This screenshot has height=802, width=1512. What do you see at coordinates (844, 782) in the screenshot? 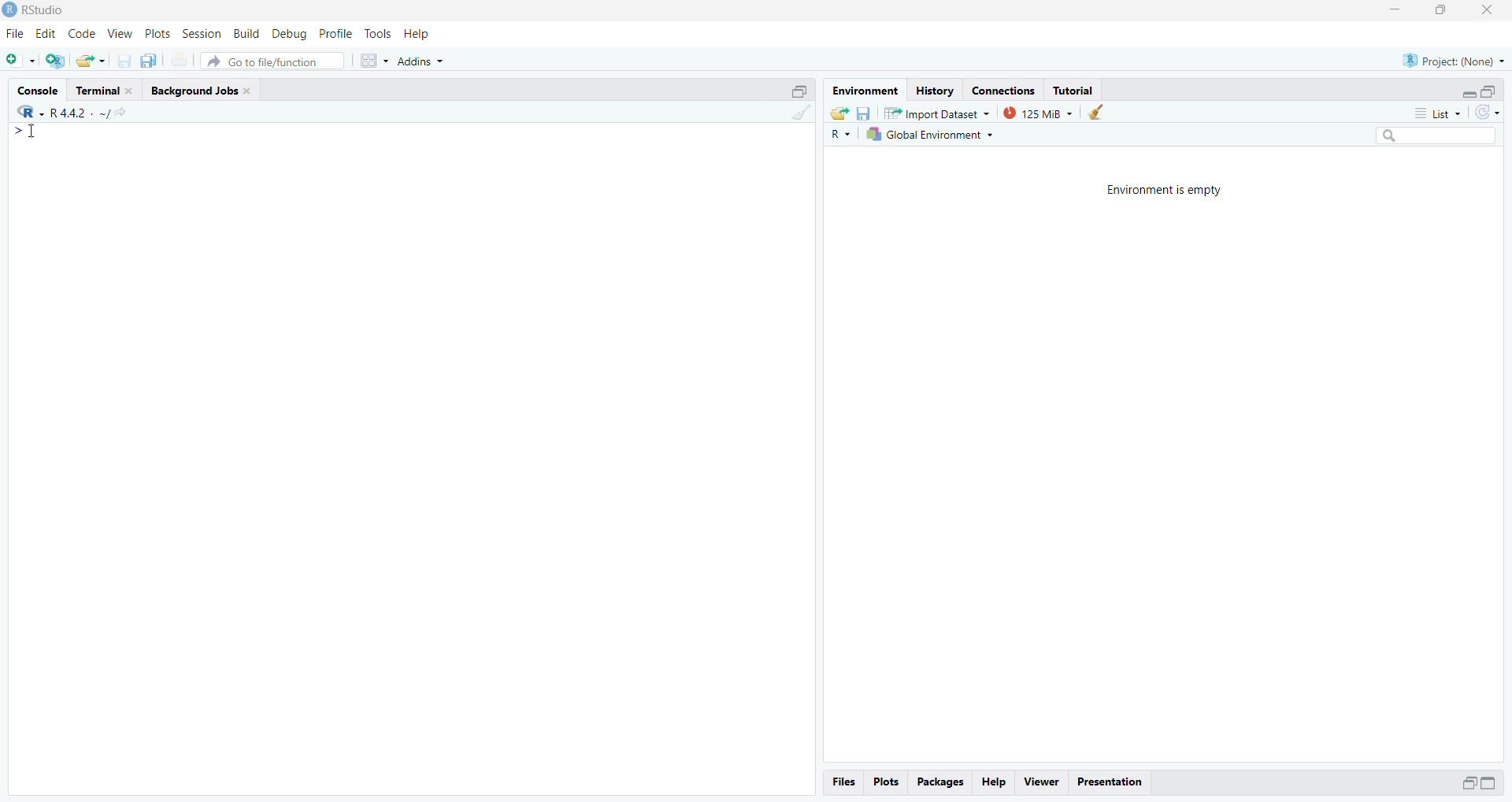
I see `Files` at bounding box center [844, 782].